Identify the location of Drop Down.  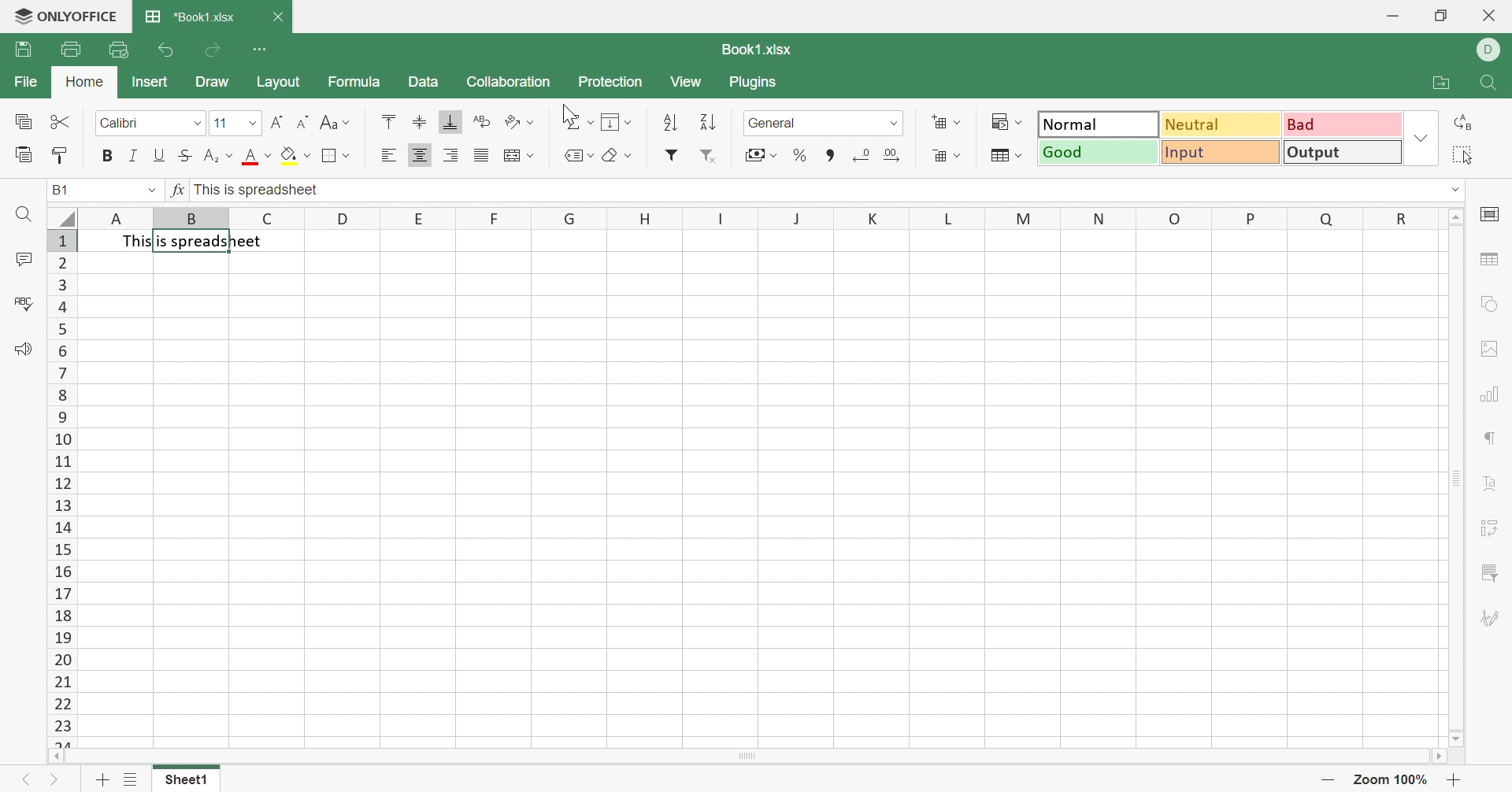
(254, 121).